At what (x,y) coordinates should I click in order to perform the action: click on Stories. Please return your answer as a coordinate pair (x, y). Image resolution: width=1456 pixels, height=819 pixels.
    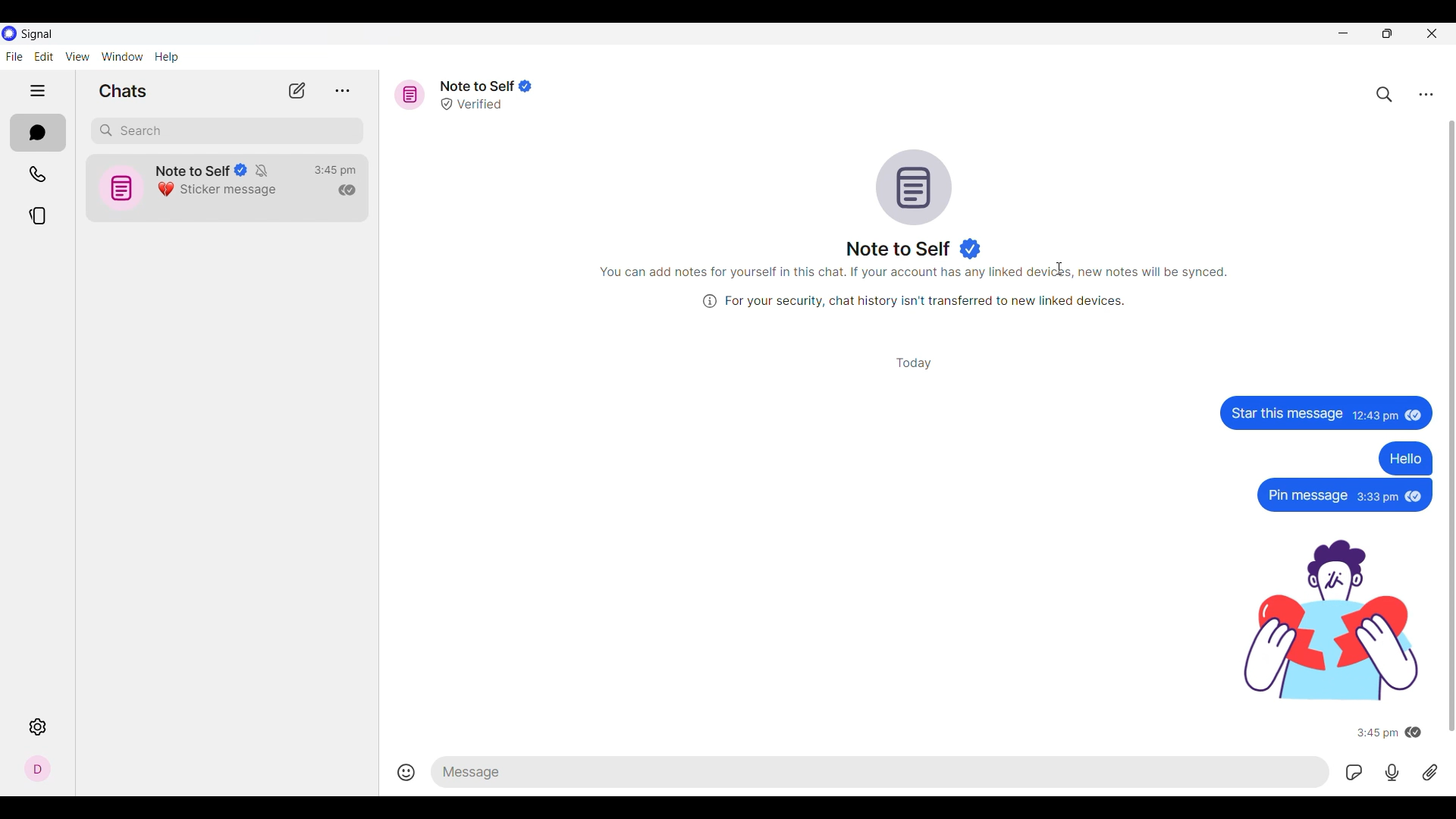
    Looking at the image, I should click on (38, 216).